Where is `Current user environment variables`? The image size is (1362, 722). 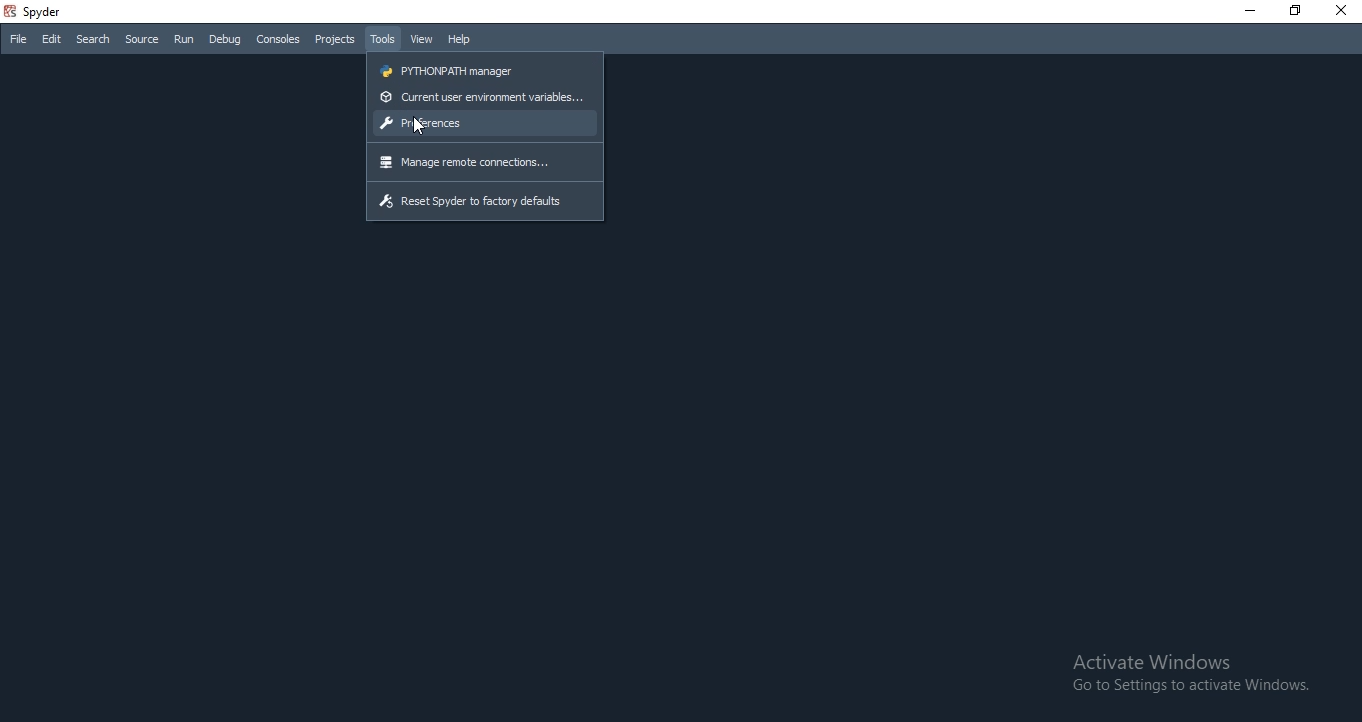
Current user environment variables is located at coordinates (482, 99).